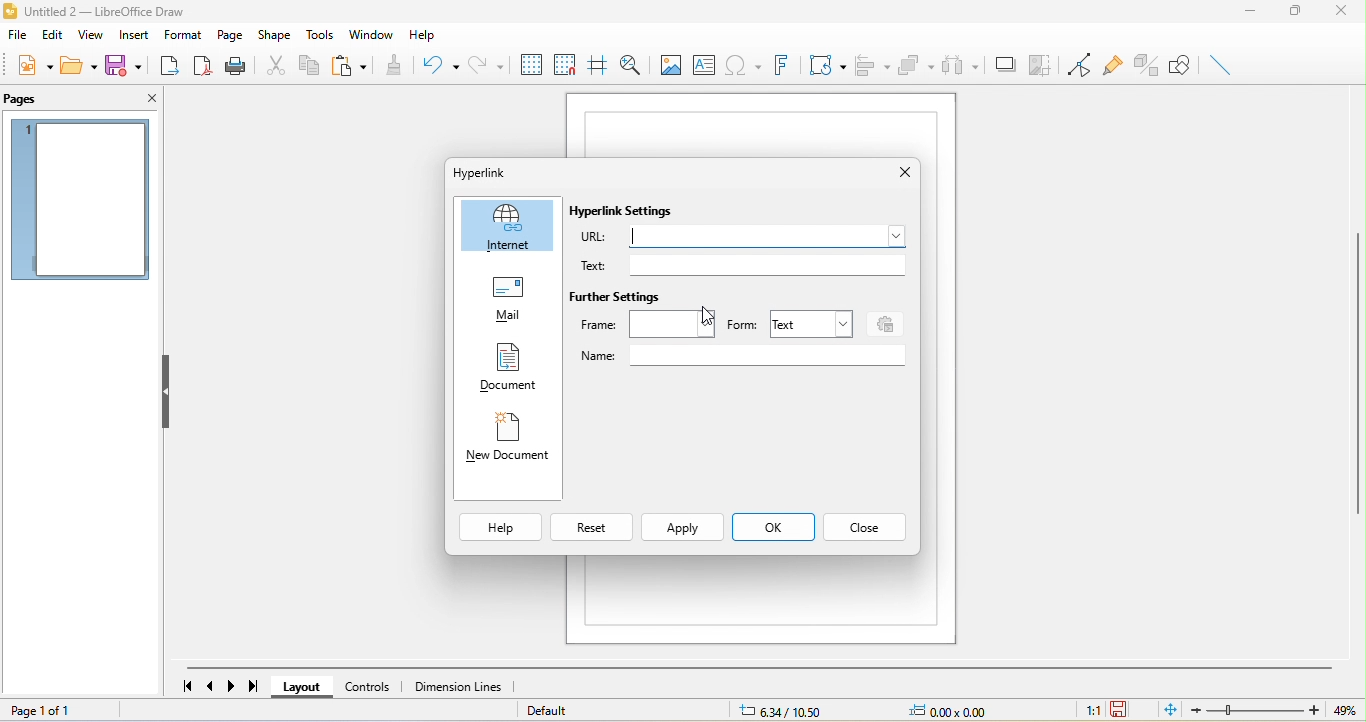  Describe the element at coordinates (1171, 709) in the screenshot. I see `fit page to current window` at that location.